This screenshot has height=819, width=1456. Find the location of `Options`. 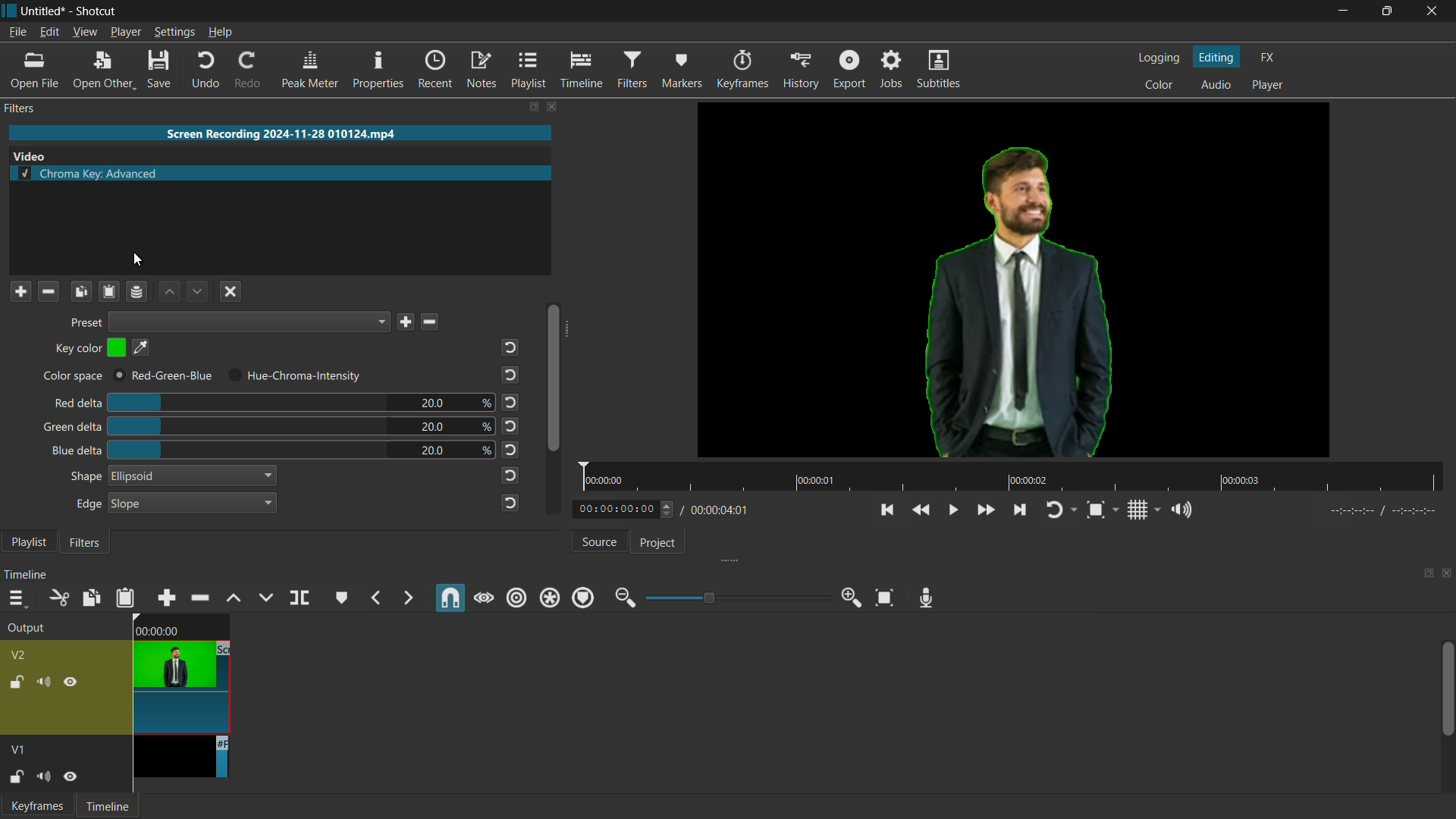

Options is located at coordinates (253, 323).